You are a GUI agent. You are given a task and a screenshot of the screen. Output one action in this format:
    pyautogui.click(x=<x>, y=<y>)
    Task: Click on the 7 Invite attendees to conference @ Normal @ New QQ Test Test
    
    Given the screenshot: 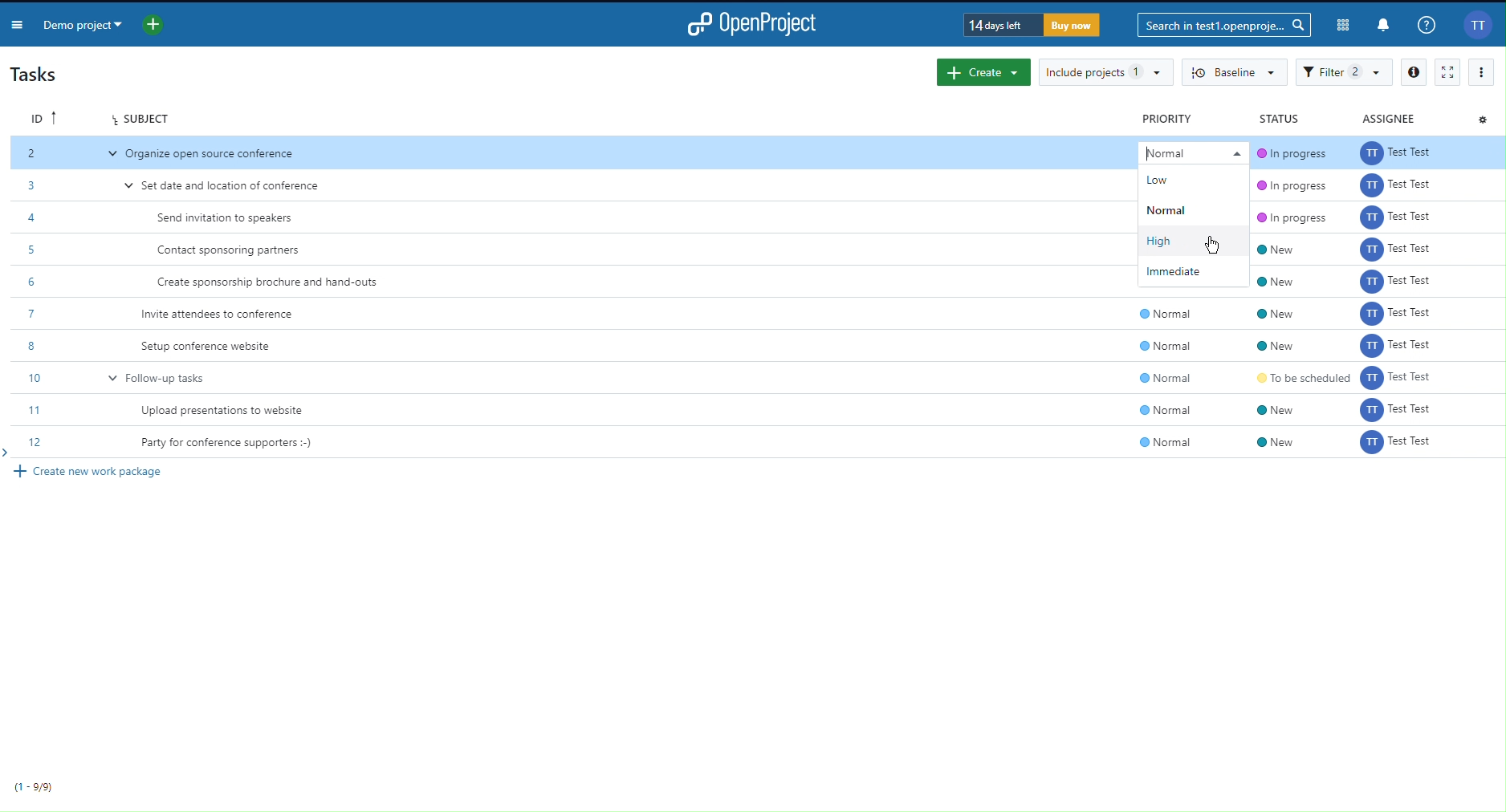 What is the action you would take?
    pyautogui.click(x=757, y=314)
    